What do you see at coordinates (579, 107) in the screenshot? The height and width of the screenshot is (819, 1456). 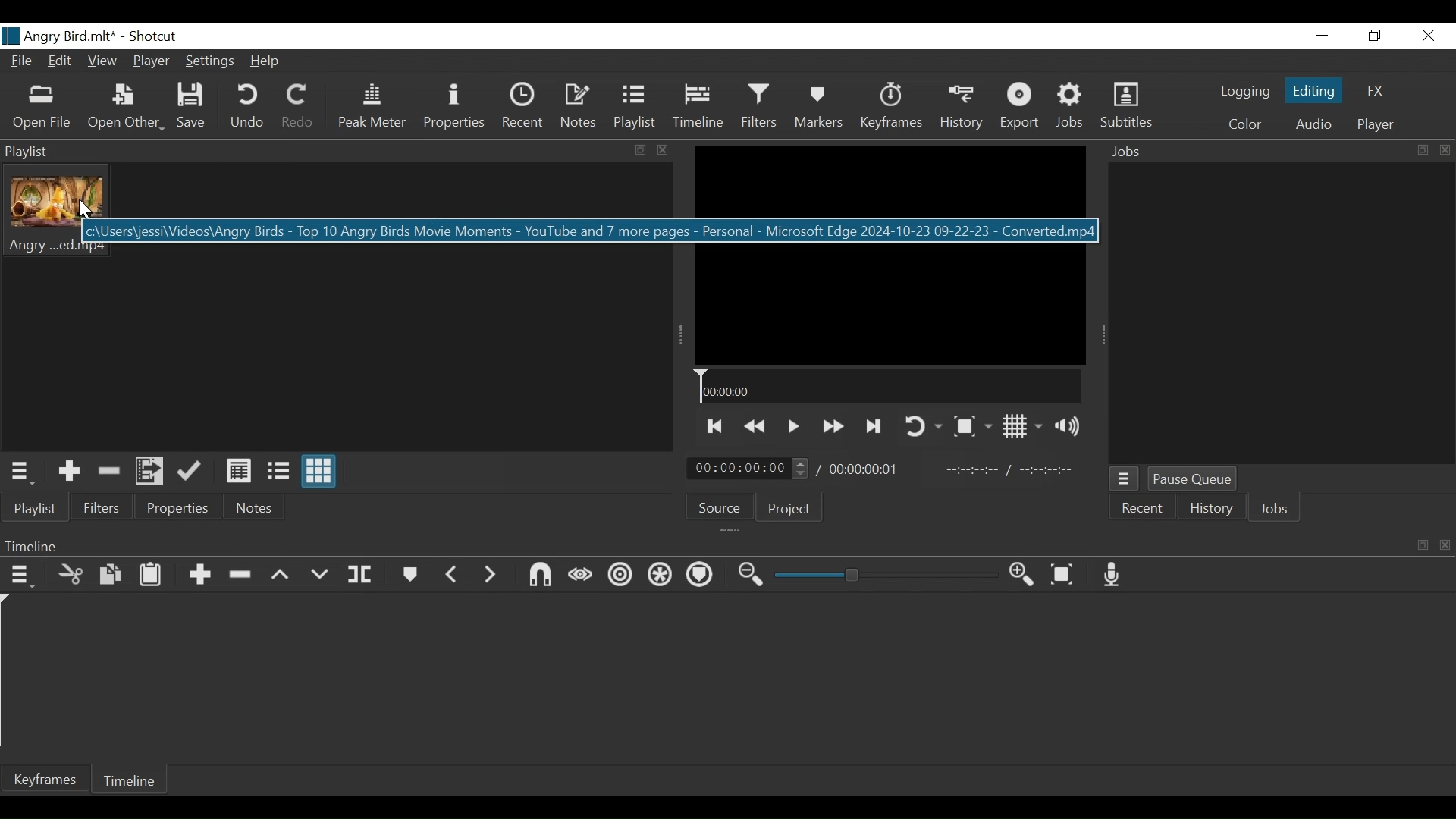 I see `Notes` at bounding box center [579, 107].